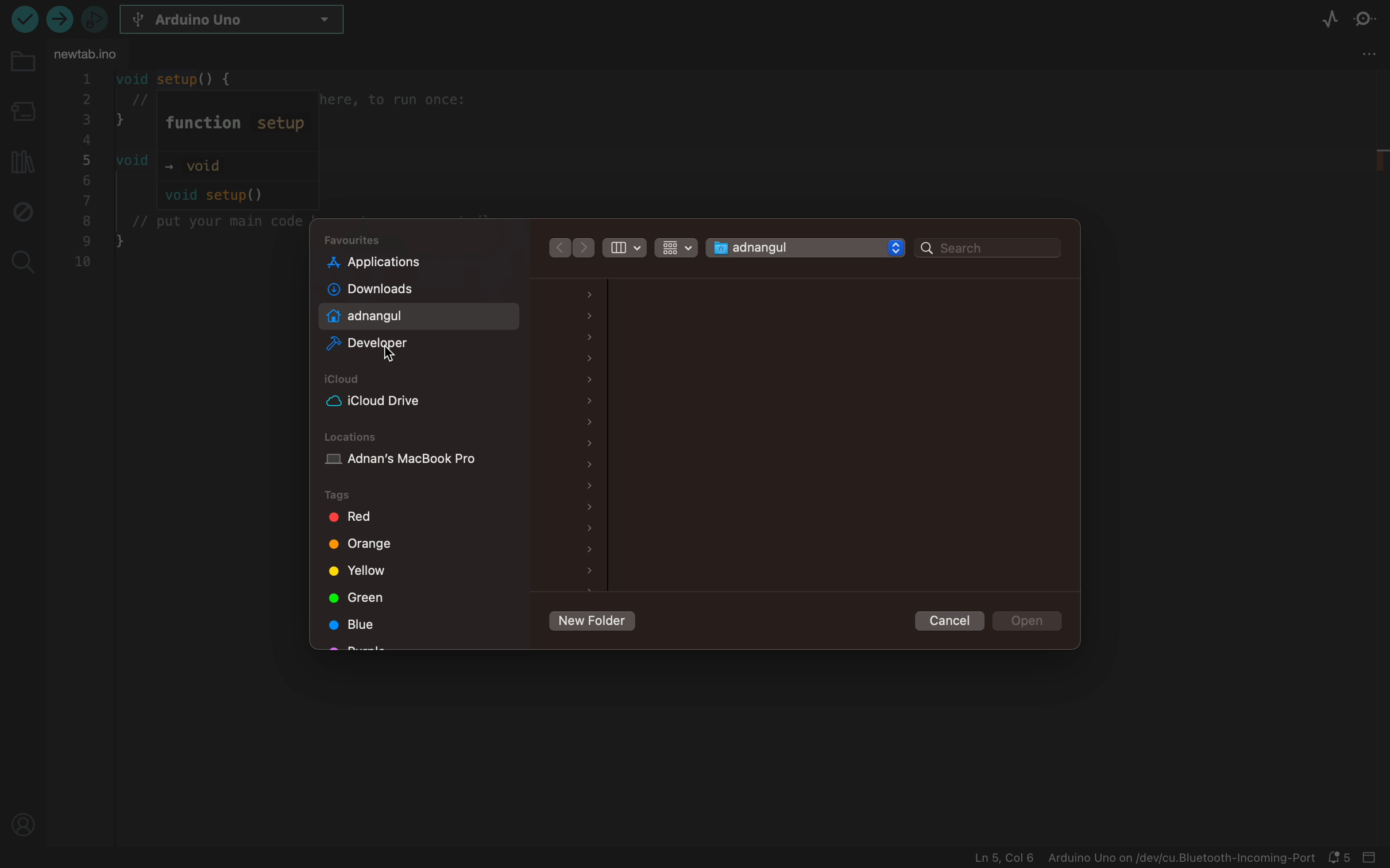 The height and width of the screenshot is (868, 1390). I want to click on newtab.io, so click(87, 53).